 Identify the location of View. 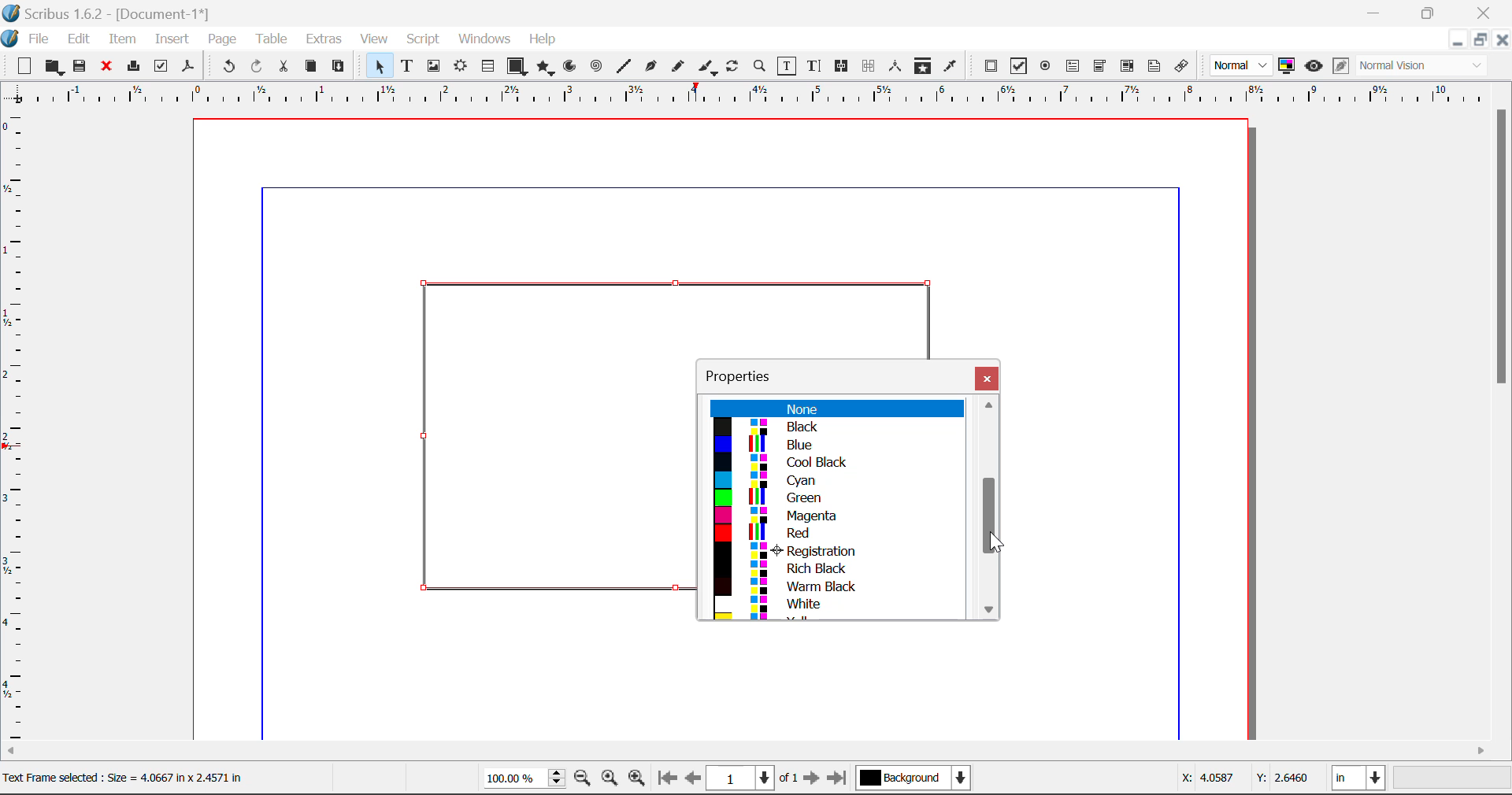
(375, 40).